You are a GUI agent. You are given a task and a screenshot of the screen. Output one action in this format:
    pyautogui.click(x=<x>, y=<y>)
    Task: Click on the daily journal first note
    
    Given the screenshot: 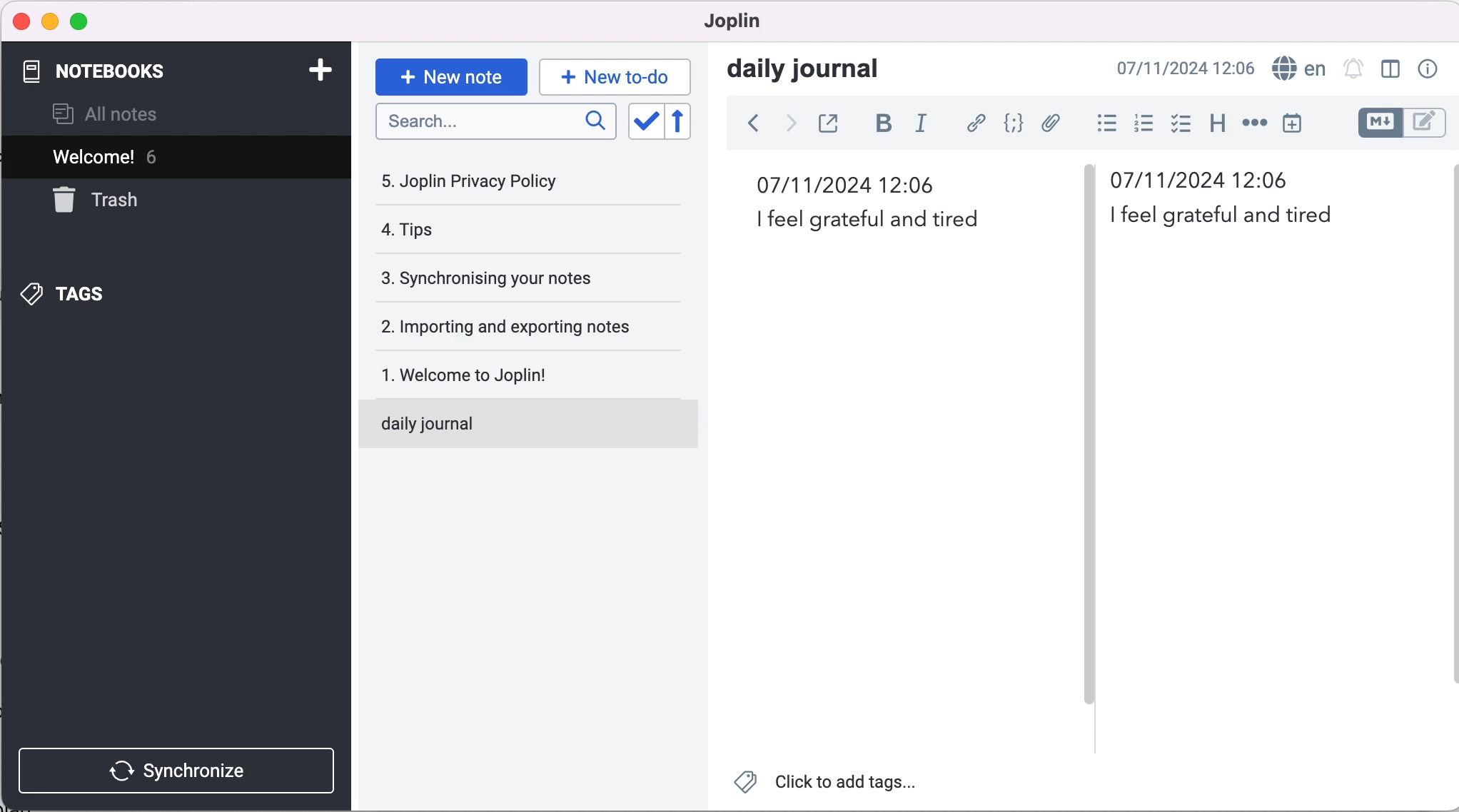 What is the action you would take?
    pyautogui.click(x=887, y=218)
    